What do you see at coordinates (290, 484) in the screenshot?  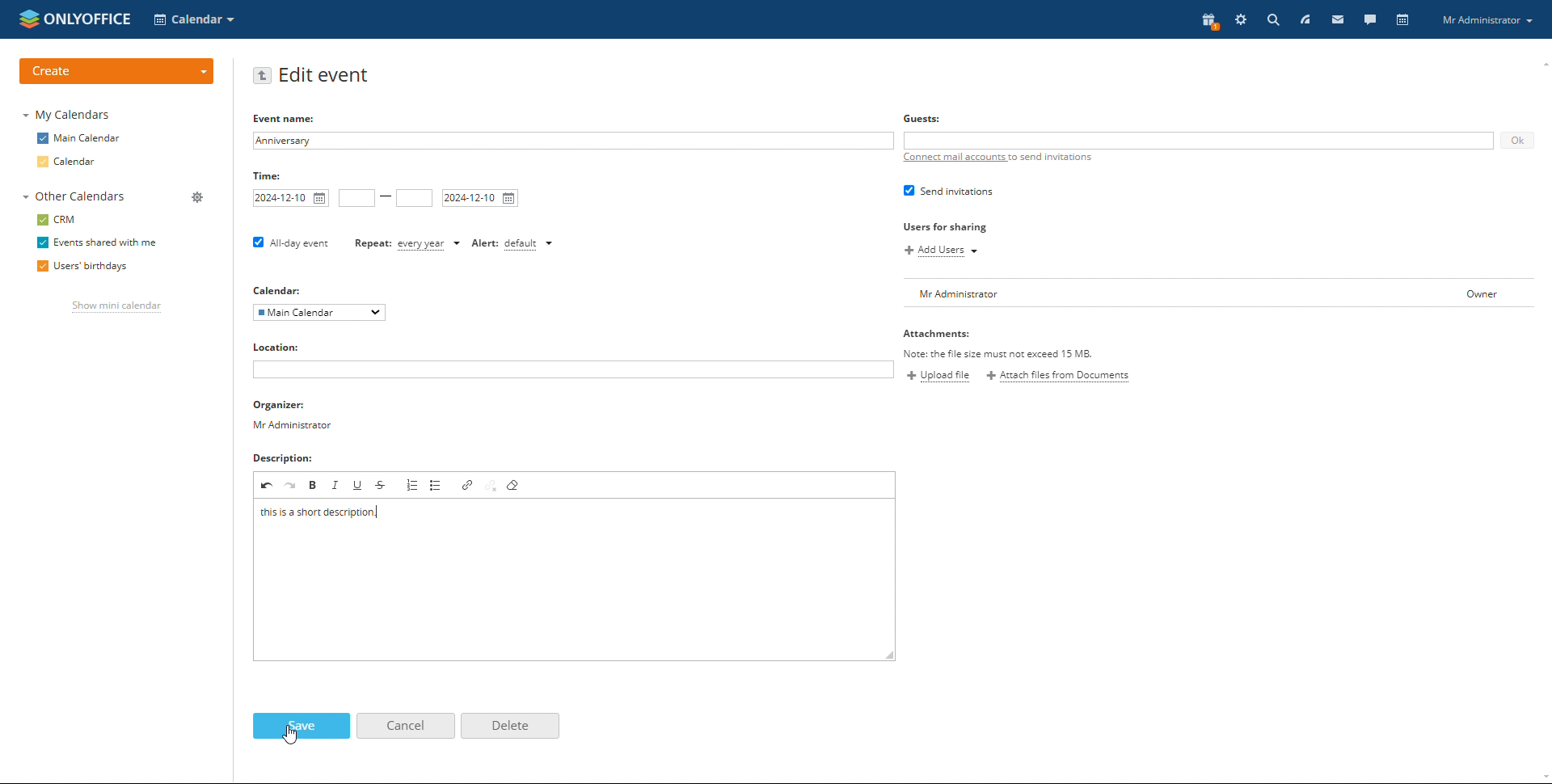 I see `redo` at bounding box center [290, 484].